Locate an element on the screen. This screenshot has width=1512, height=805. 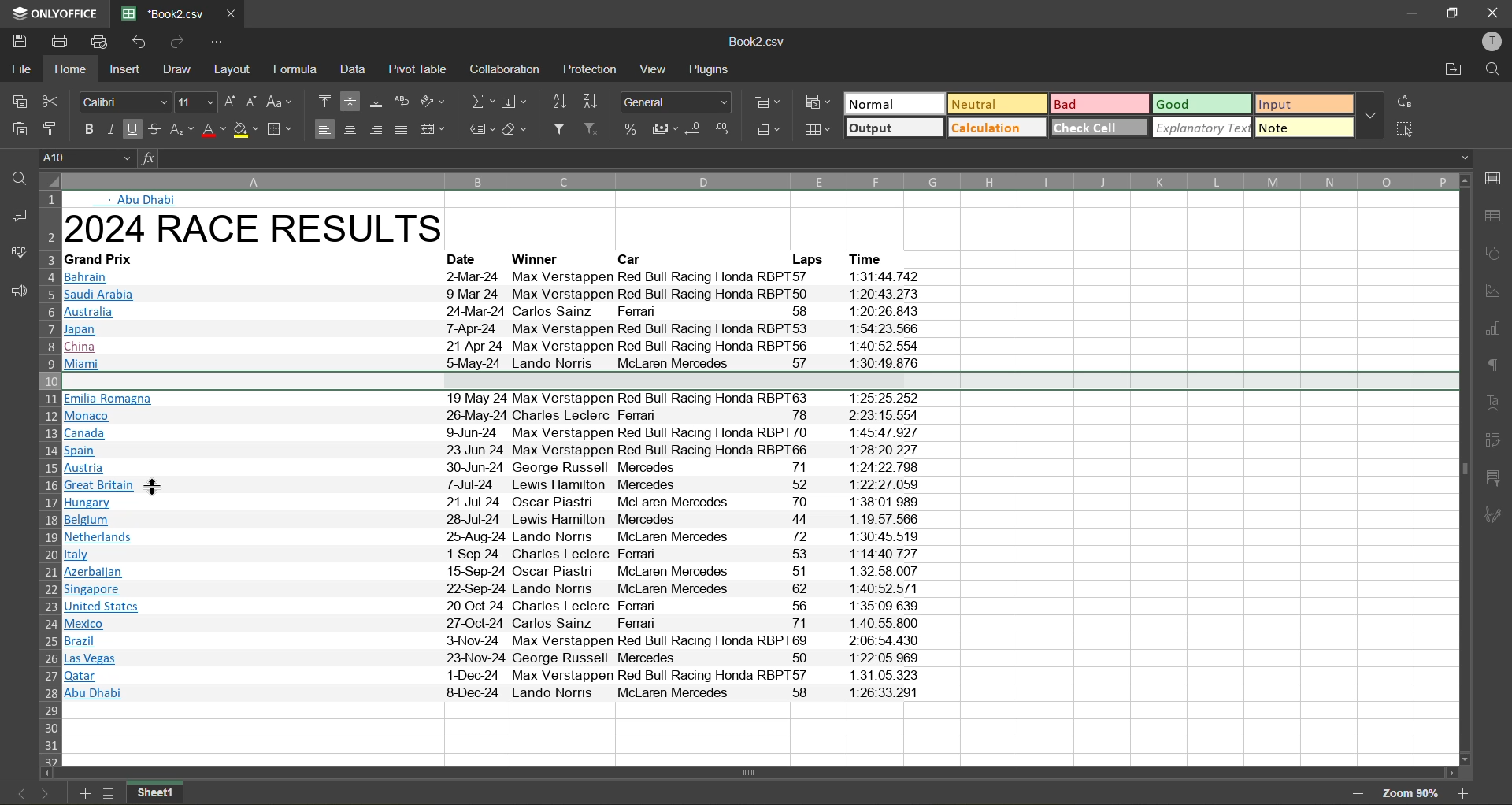
align top is located at coordinates (325, 102).